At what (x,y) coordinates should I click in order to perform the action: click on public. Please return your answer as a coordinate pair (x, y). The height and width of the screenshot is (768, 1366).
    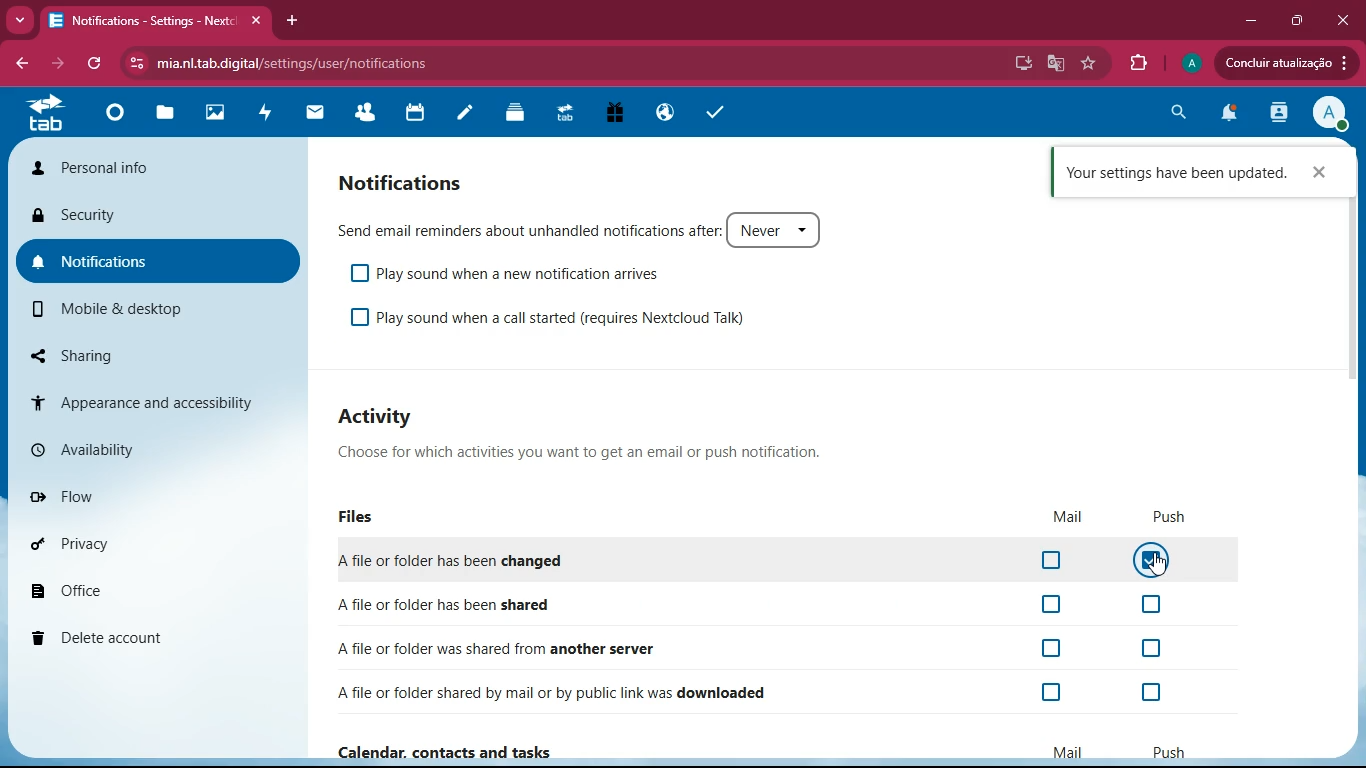
    Looking at the image, I should click on (668, 112).